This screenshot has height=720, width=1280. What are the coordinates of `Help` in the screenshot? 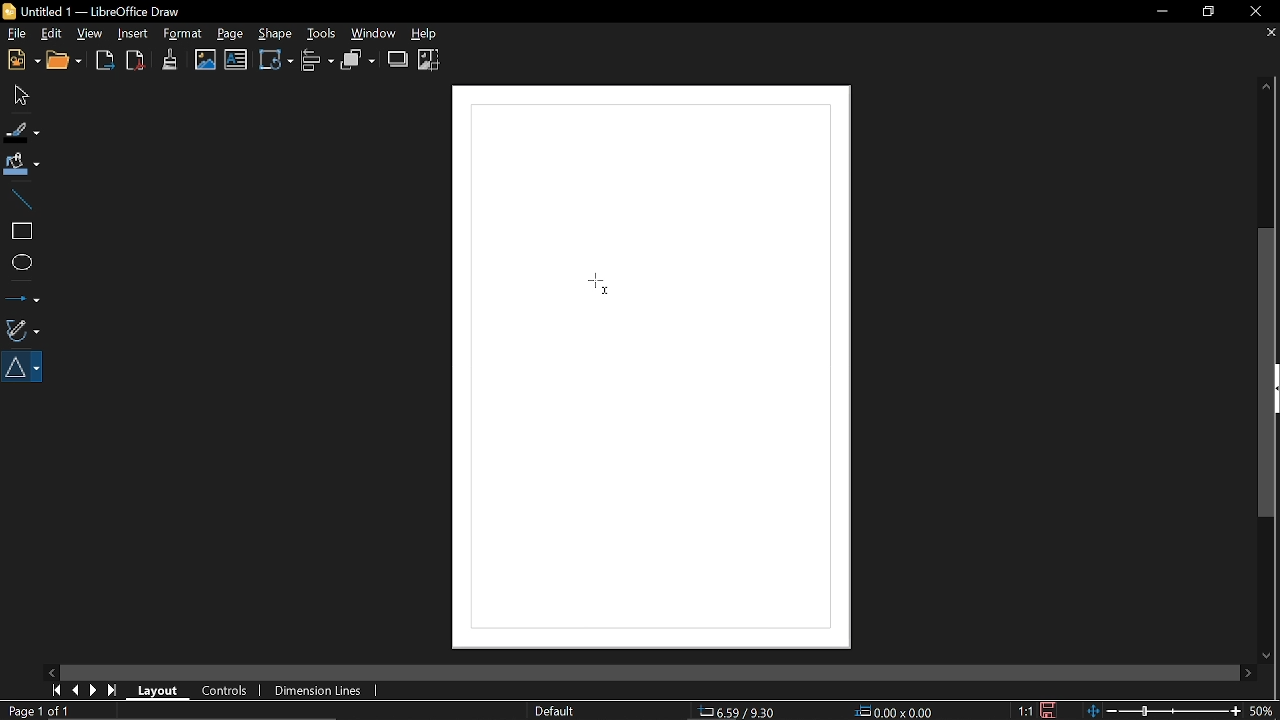 It's located at (433, 33).